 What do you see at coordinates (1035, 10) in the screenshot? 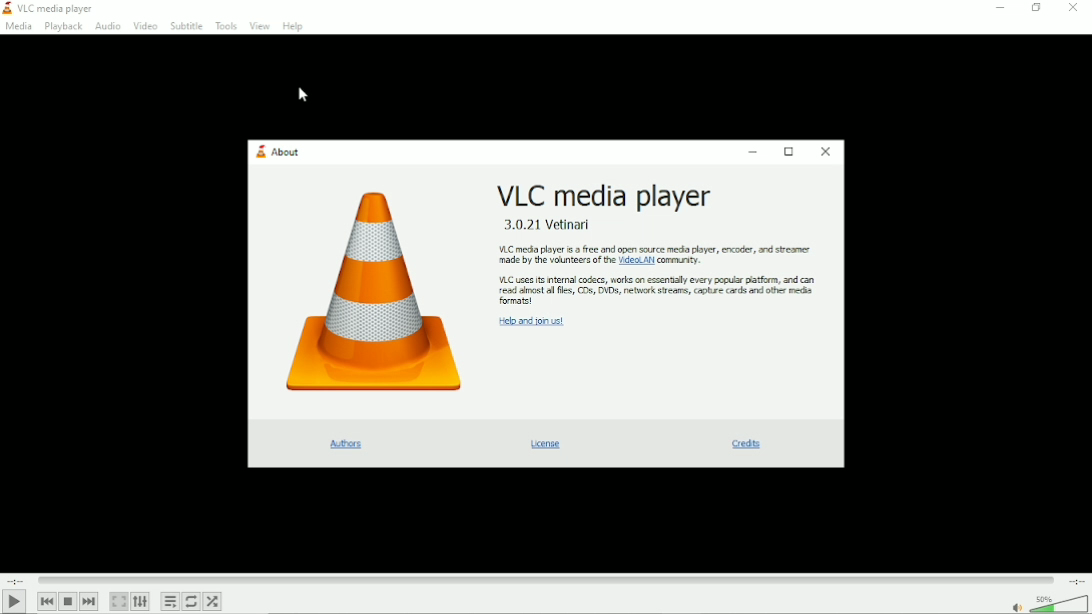
I see `Restore down` at bounding box center [1035, 10].